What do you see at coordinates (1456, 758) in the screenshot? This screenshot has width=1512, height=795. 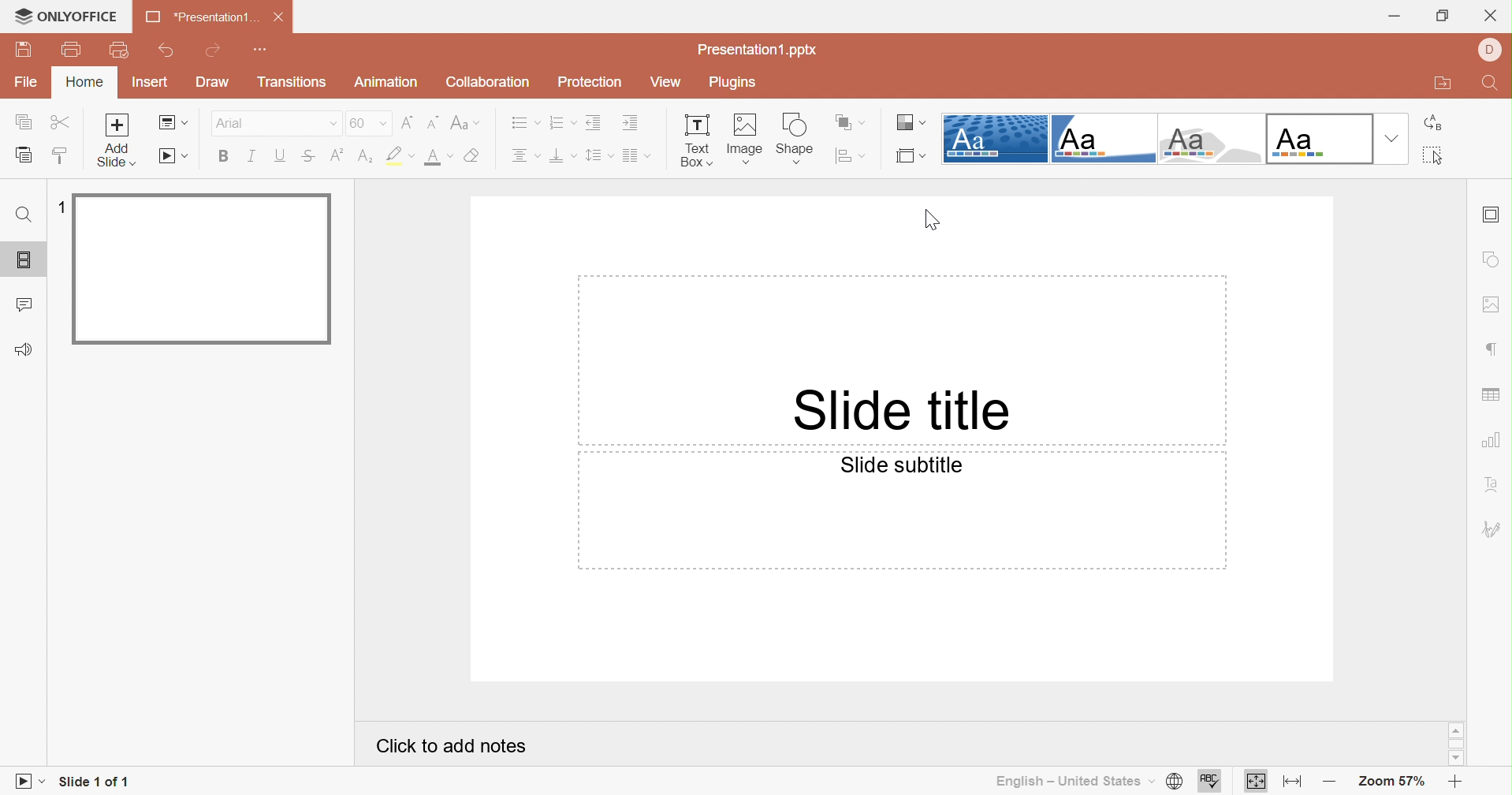 I see `Scroll down` at bounding box center [1456, 758].